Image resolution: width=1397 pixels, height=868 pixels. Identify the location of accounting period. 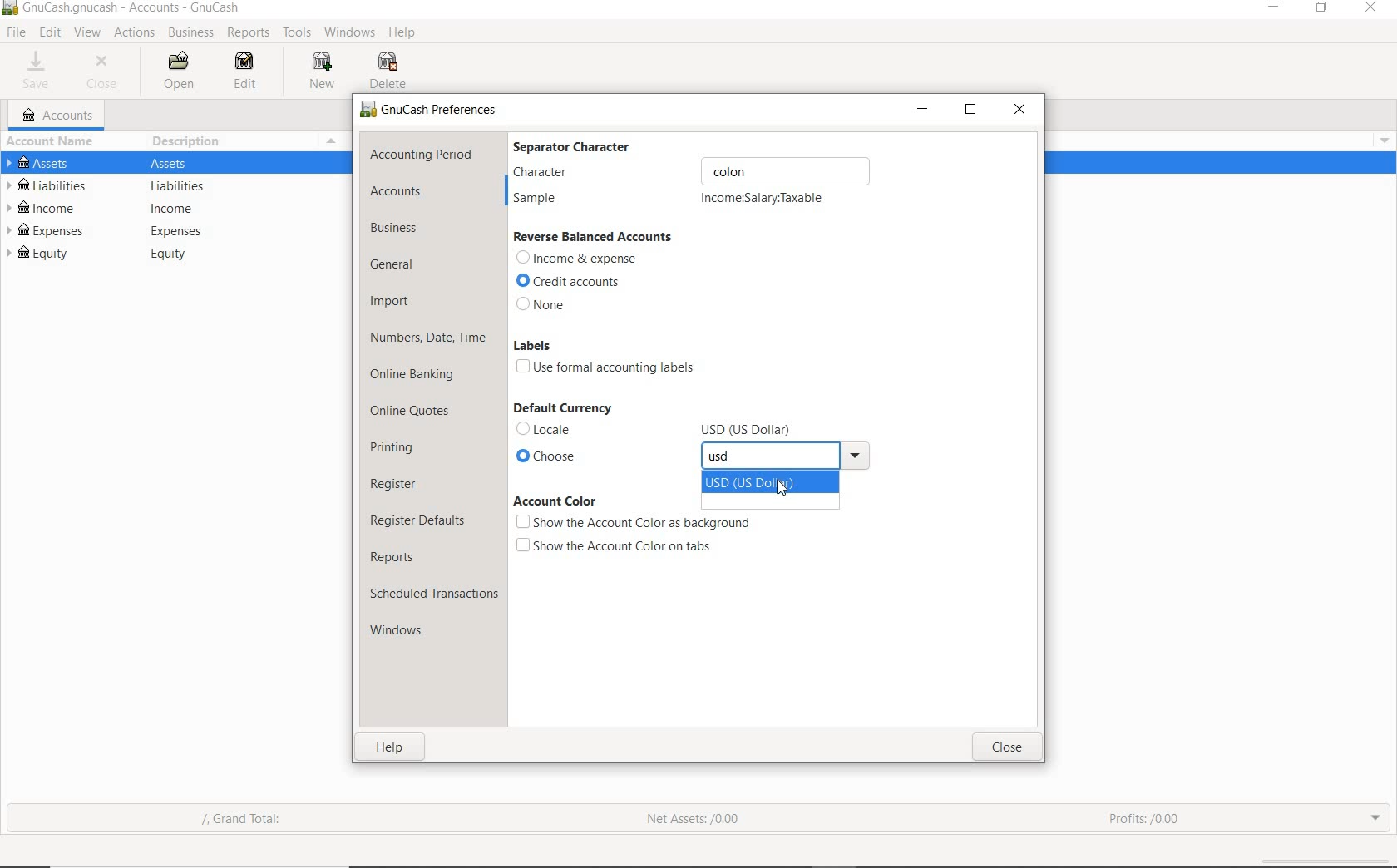
(422, 154).